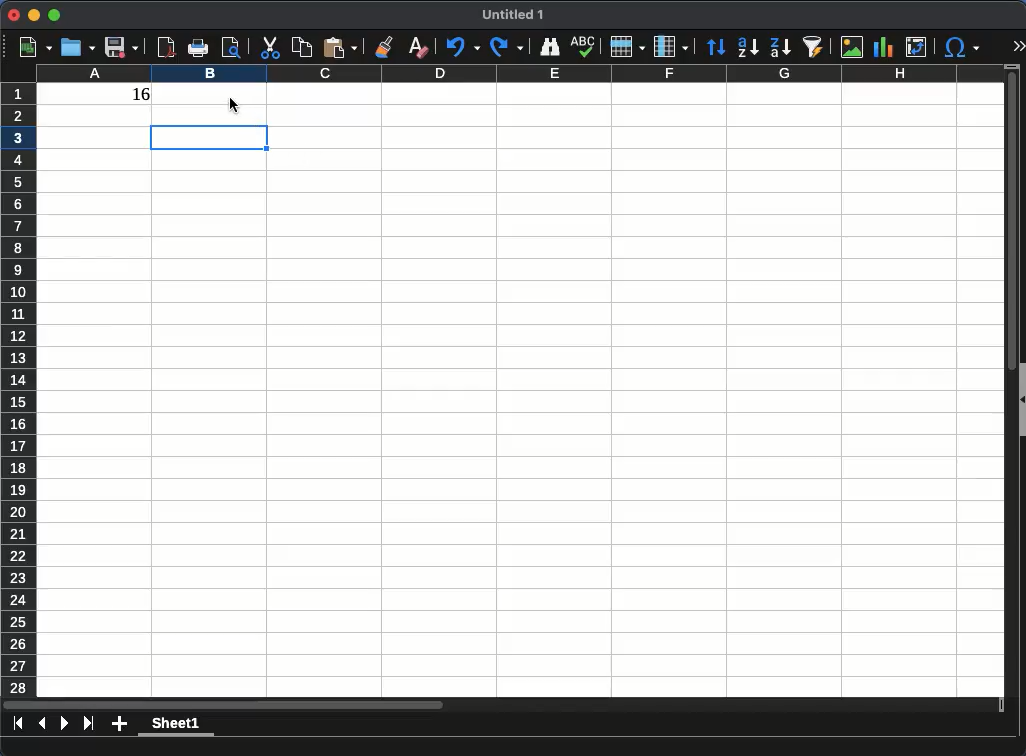 The width and height of the screenshot is (1026, 756). Describe the element at coordinates (232, 50) in the screenshot. I see `print preview` at that location.